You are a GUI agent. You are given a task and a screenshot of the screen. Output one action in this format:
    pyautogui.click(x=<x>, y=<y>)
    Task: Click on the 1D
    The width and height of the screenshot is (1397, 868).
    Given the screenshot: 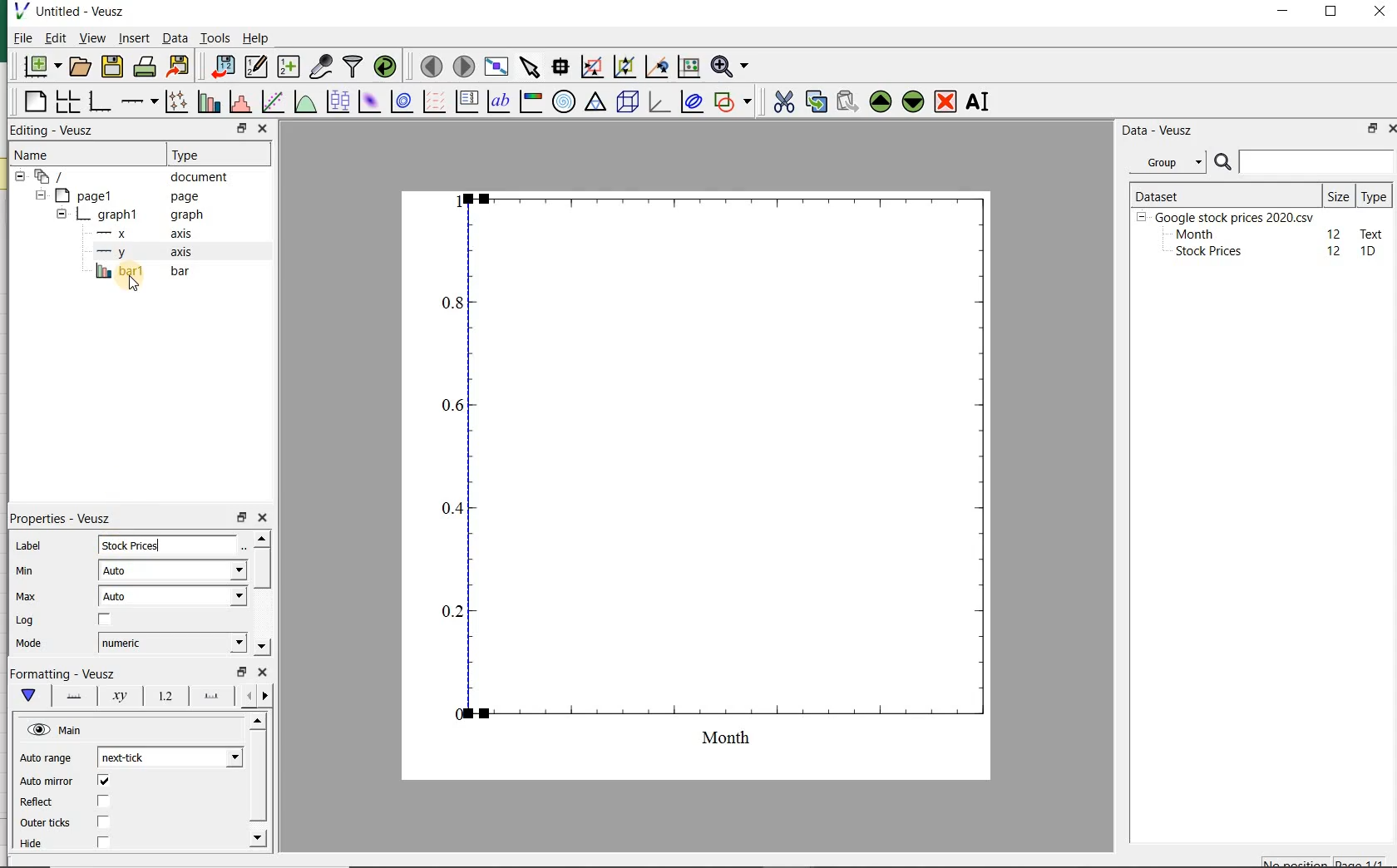 What is the action you would take?
    pyautogui.click(x=1370, y=252)
    